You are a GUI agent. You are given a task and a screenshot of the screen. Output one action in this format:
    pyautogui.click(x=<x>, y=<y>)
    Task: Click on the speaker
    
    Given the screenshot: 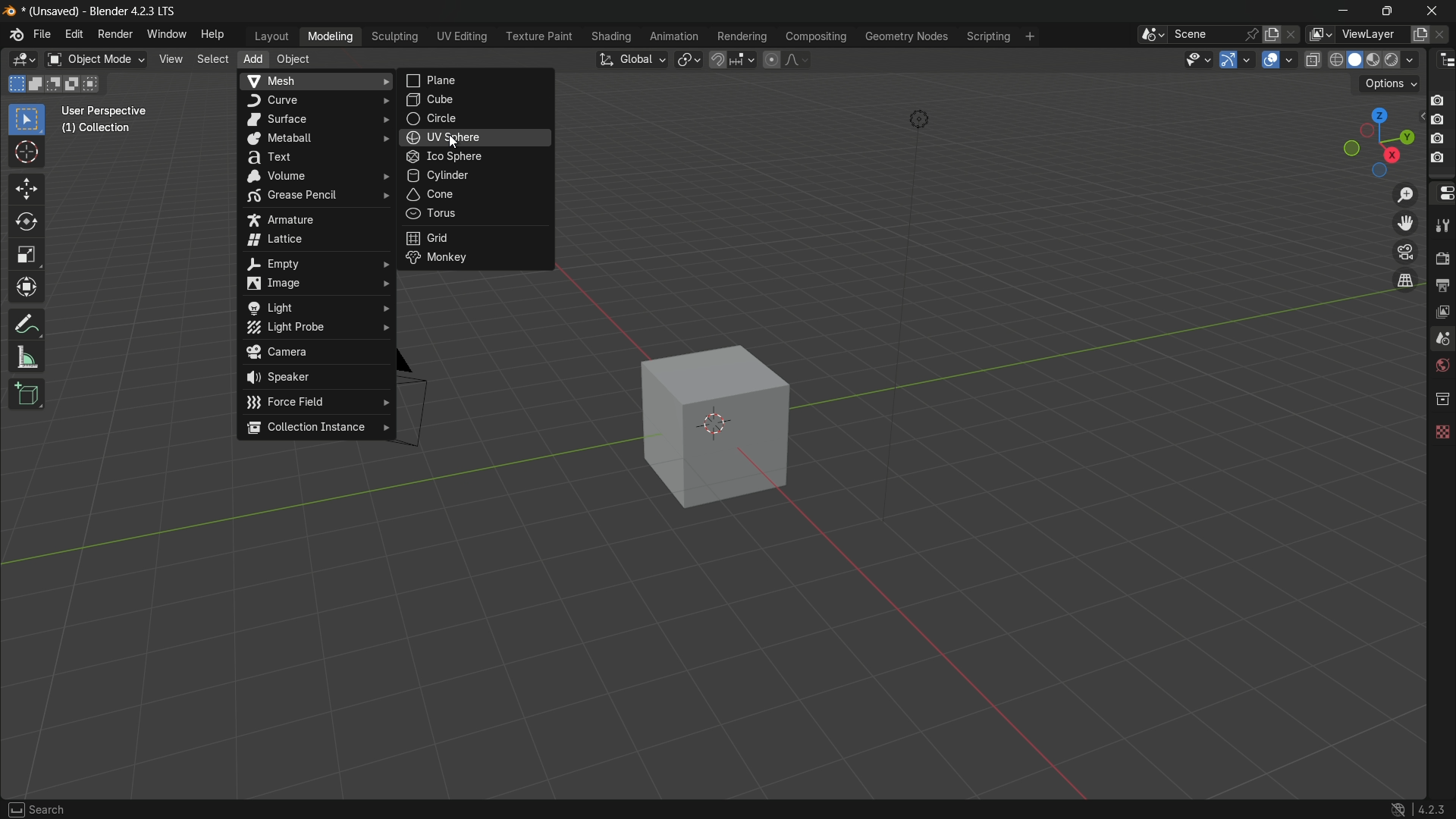 What is the action you would take?
    pyautogui.click(x=316, y=380)
    